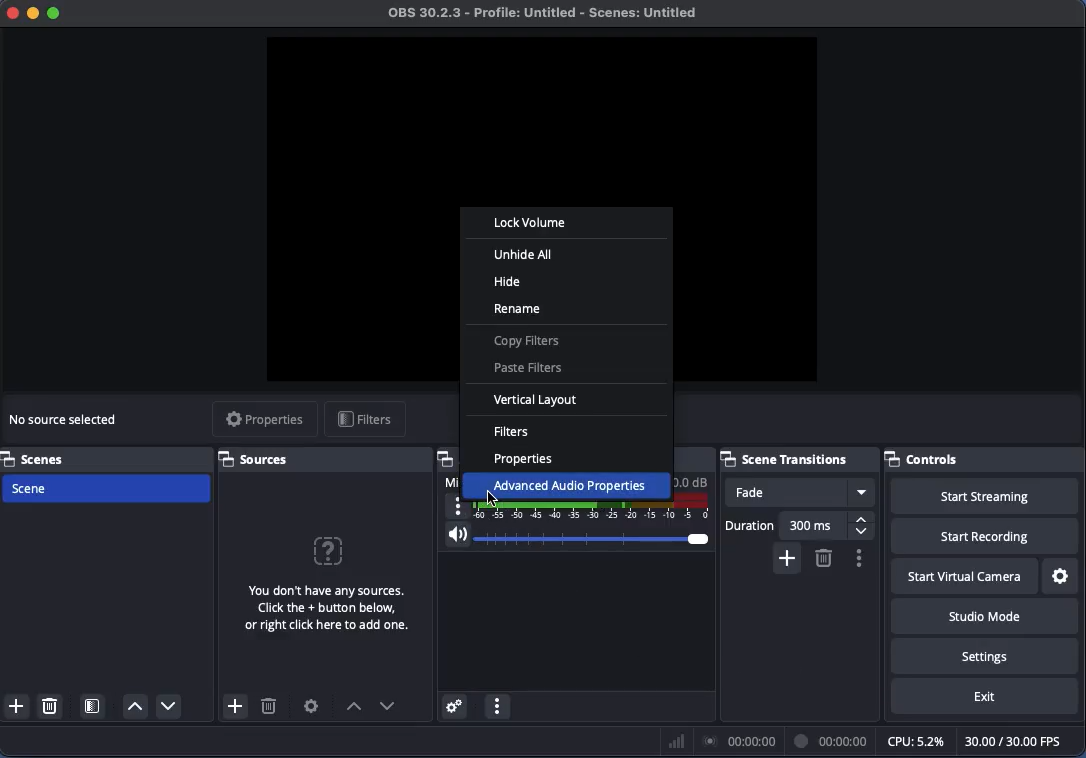 The height and width of the screenshot is (758, 1086). What do you see at coordinates (800, 525) in the screenshot?
I see `Duration` at bounding box center [800, 525].